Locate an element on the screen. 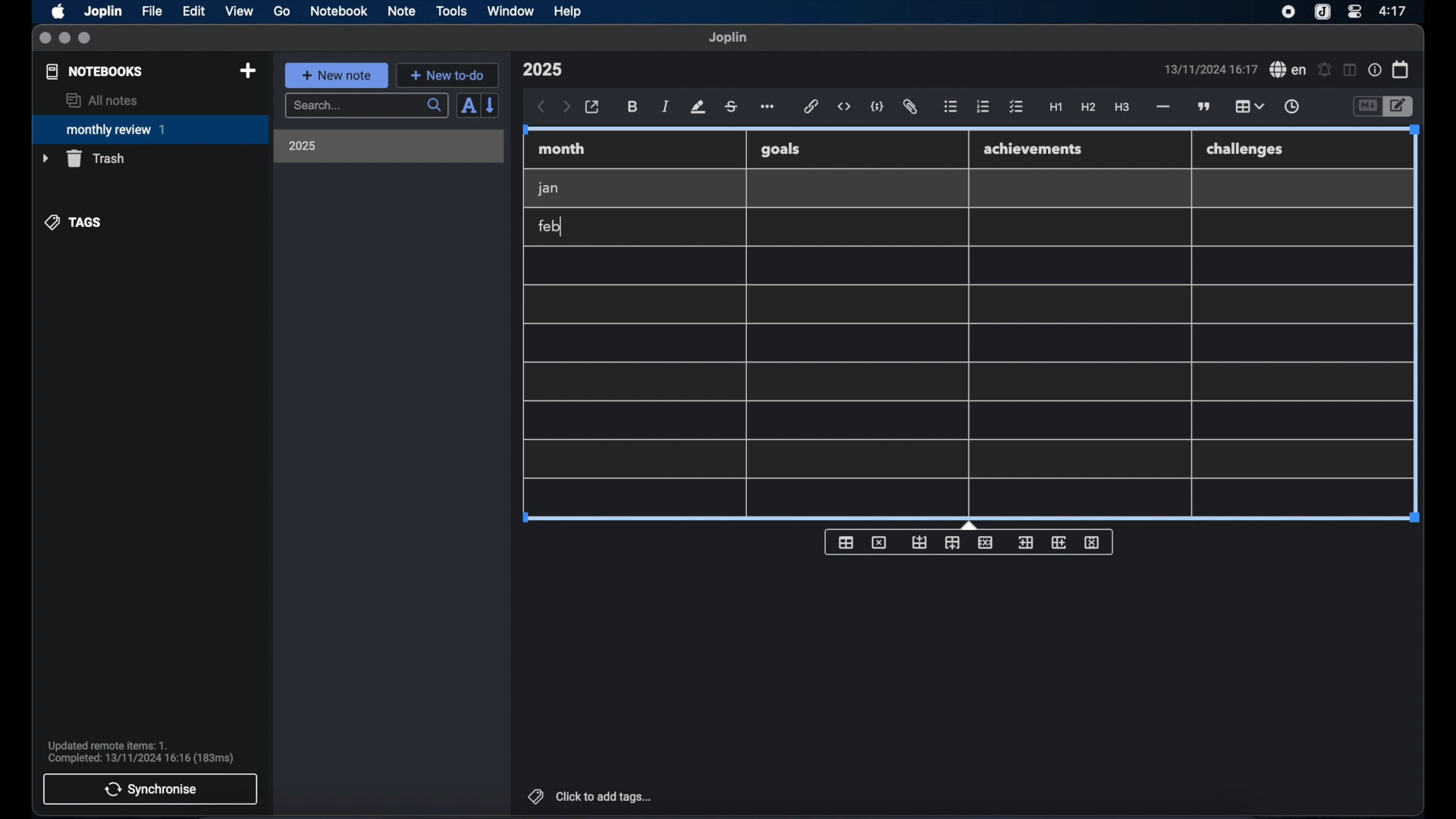 The image size is (1456, 819). note is located at coordinates (402, 11).